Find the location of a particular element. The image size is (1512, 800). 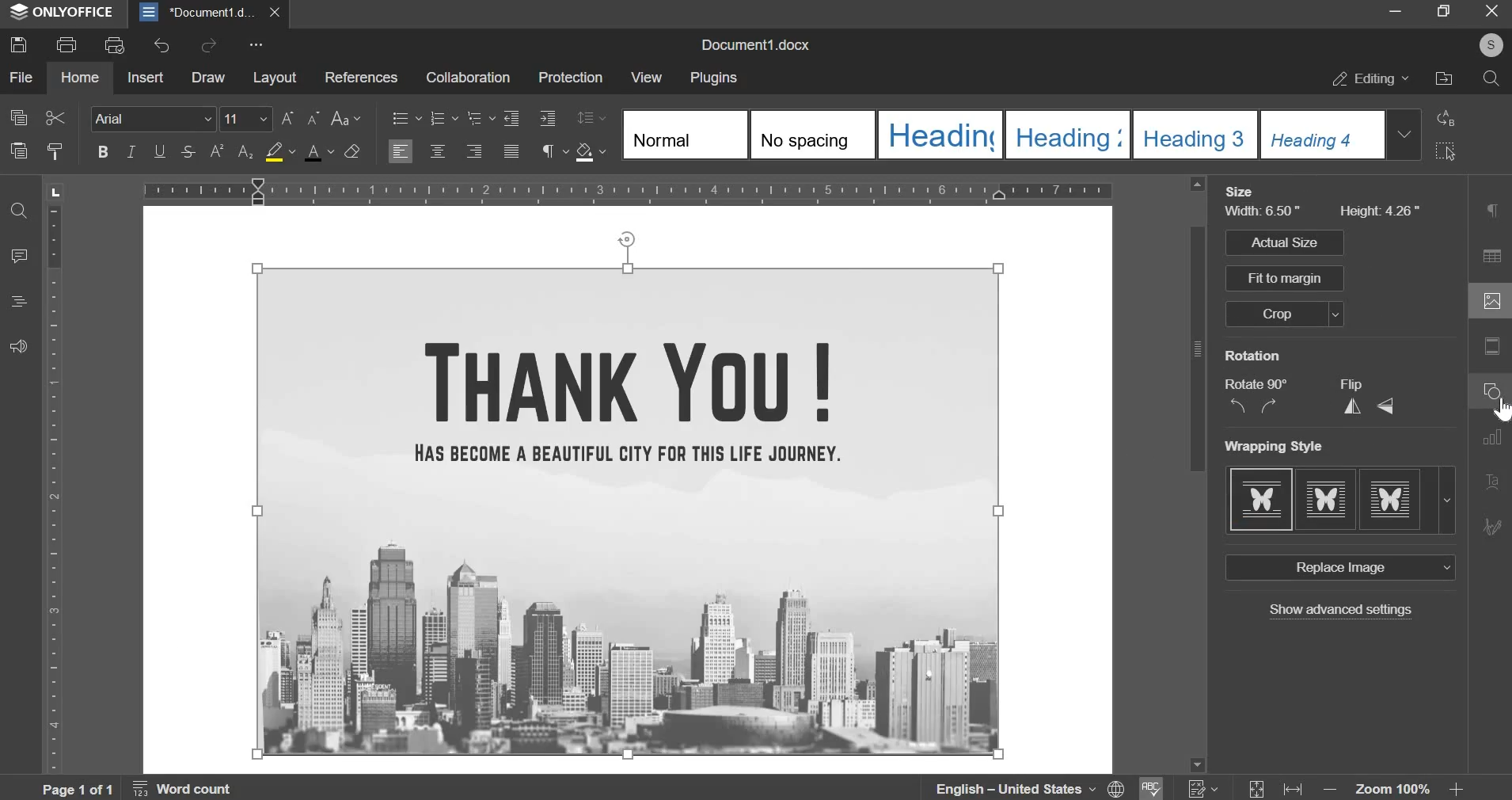

view is located at coordinates (647, 75).